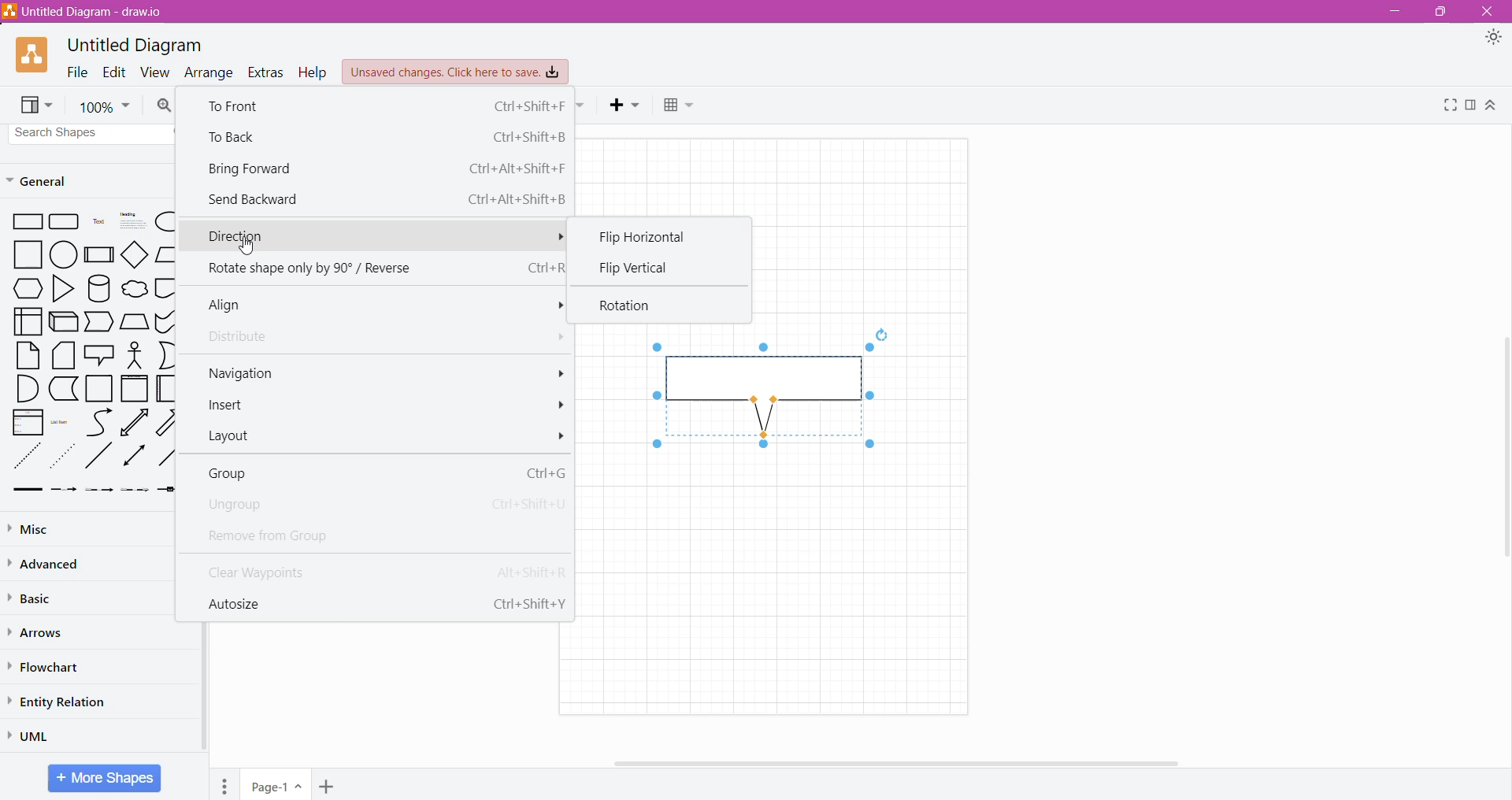 This screenshot has height=800, width=1512. I want to click on Pages, so click(224, 784).